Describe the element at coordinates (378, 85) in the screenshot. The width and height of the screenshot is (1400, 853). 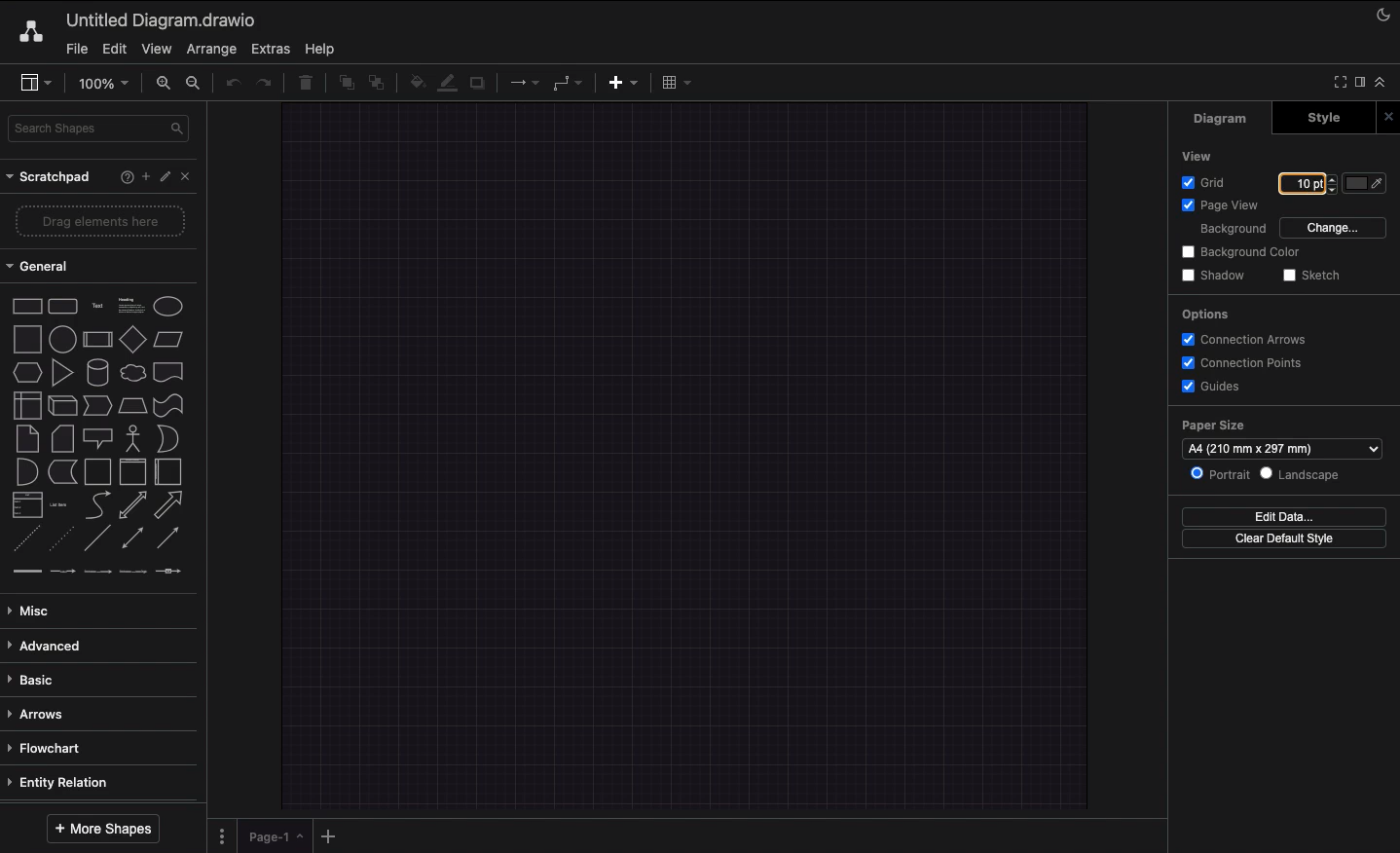
I see `Move to back` at that location.